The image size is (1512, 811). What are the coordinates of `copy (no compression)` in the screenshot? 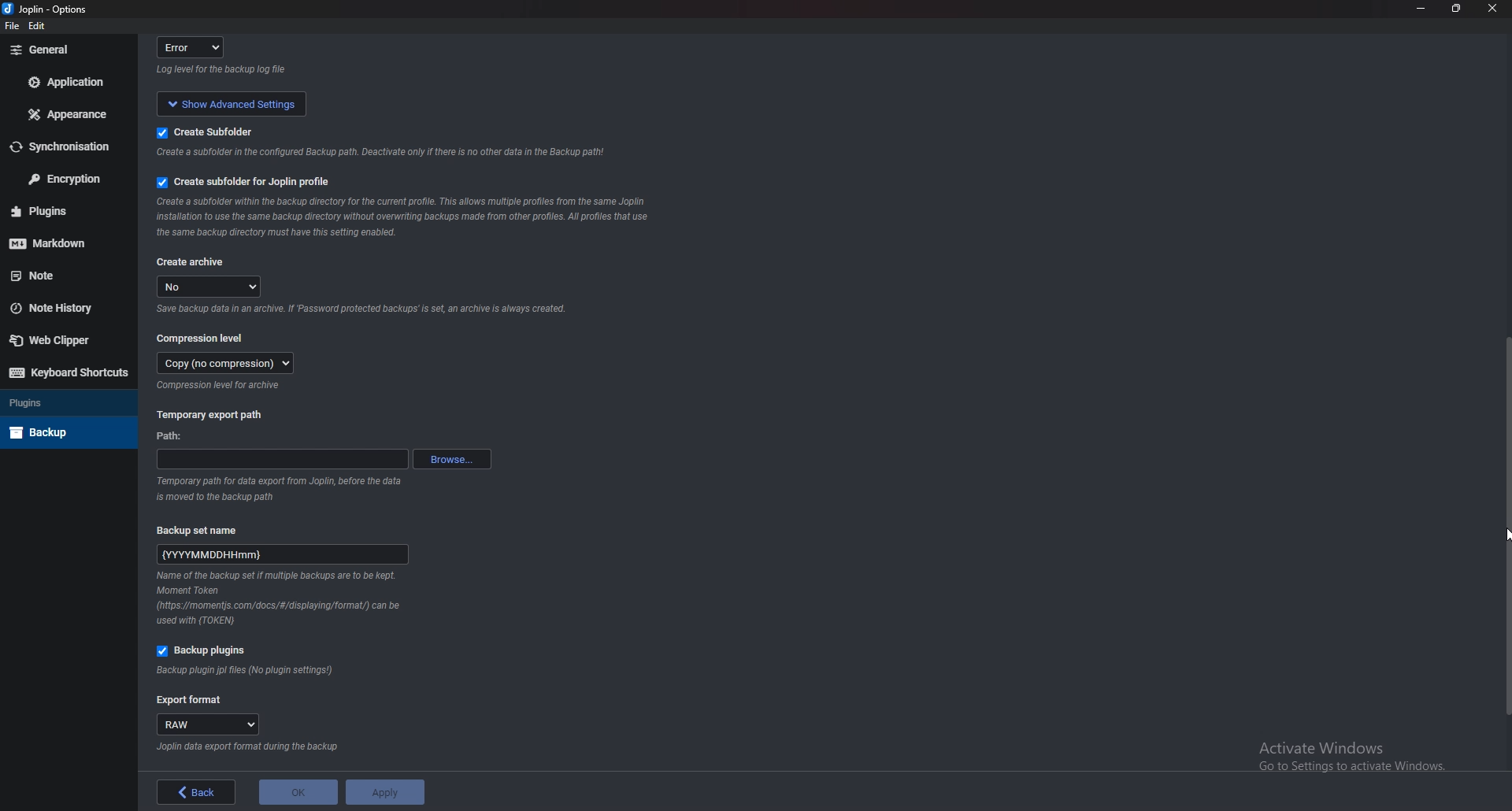 It's located at (226, 363).